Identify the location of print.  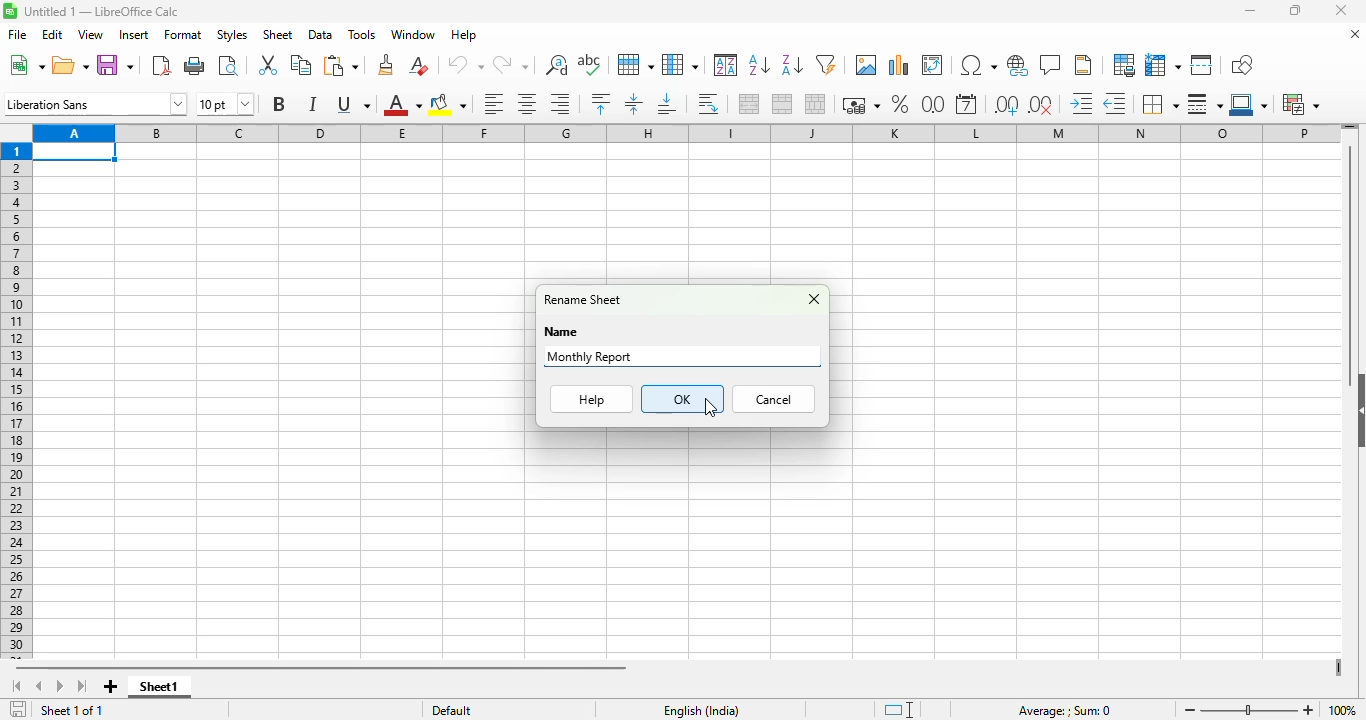
(195, 66).